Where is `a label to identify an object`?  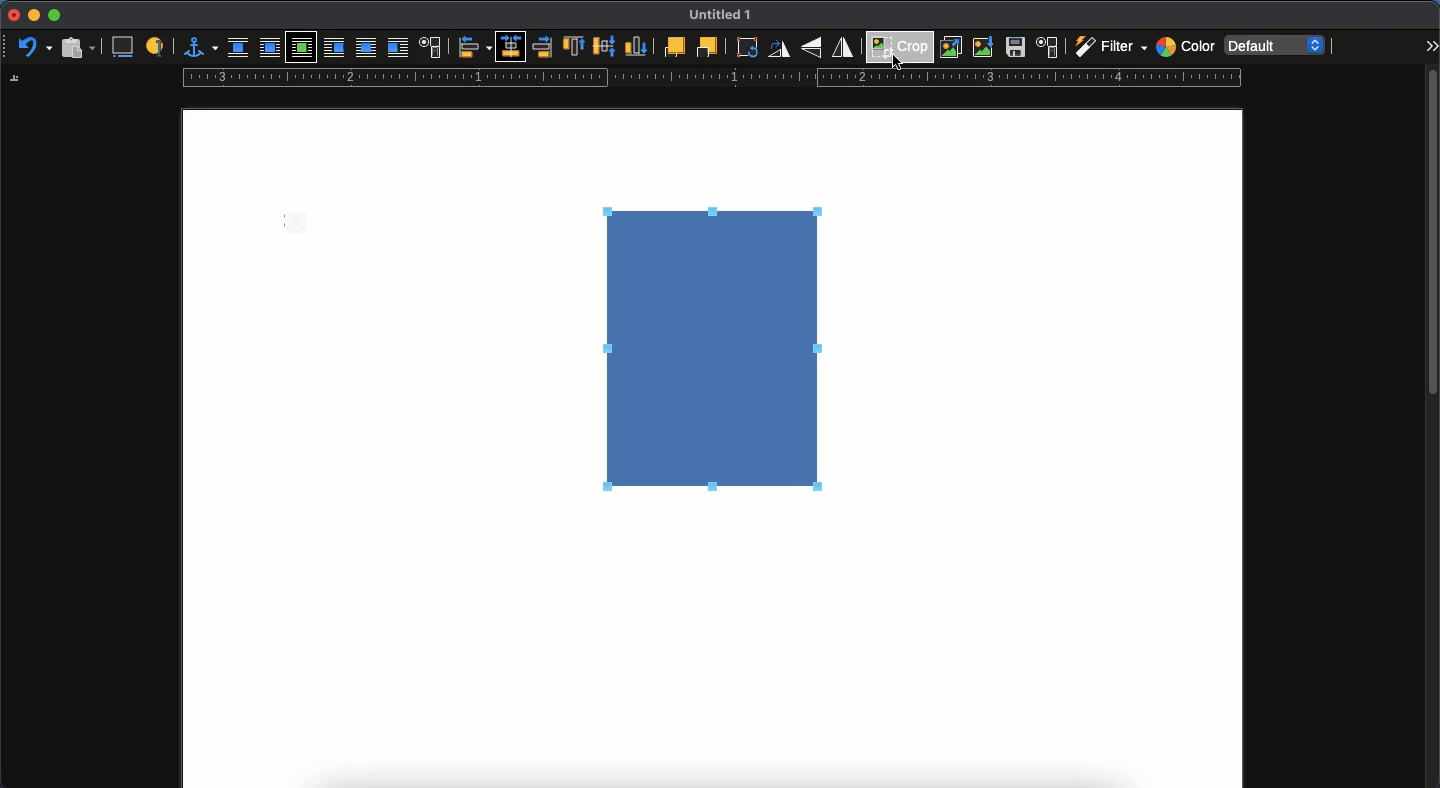 a label to identify an object is located at coordinates (157, 45).